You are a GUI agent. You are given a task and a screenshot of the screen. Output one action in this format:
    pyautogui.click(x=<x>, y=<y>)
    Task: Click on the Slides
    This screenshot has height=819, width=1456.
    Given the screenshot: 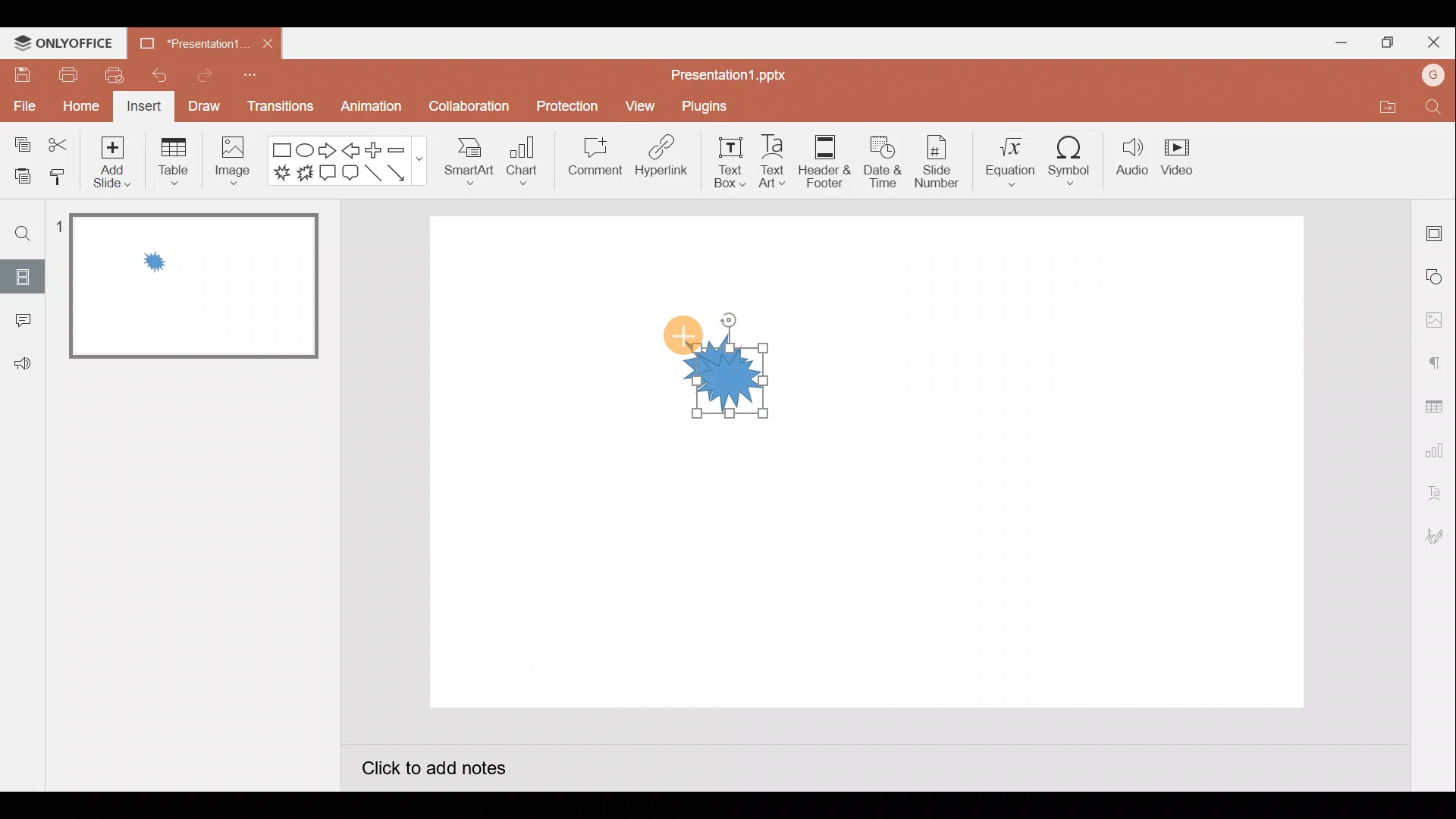 What is the action you would take?
    pyautogui.click(x=21, y=277)
    